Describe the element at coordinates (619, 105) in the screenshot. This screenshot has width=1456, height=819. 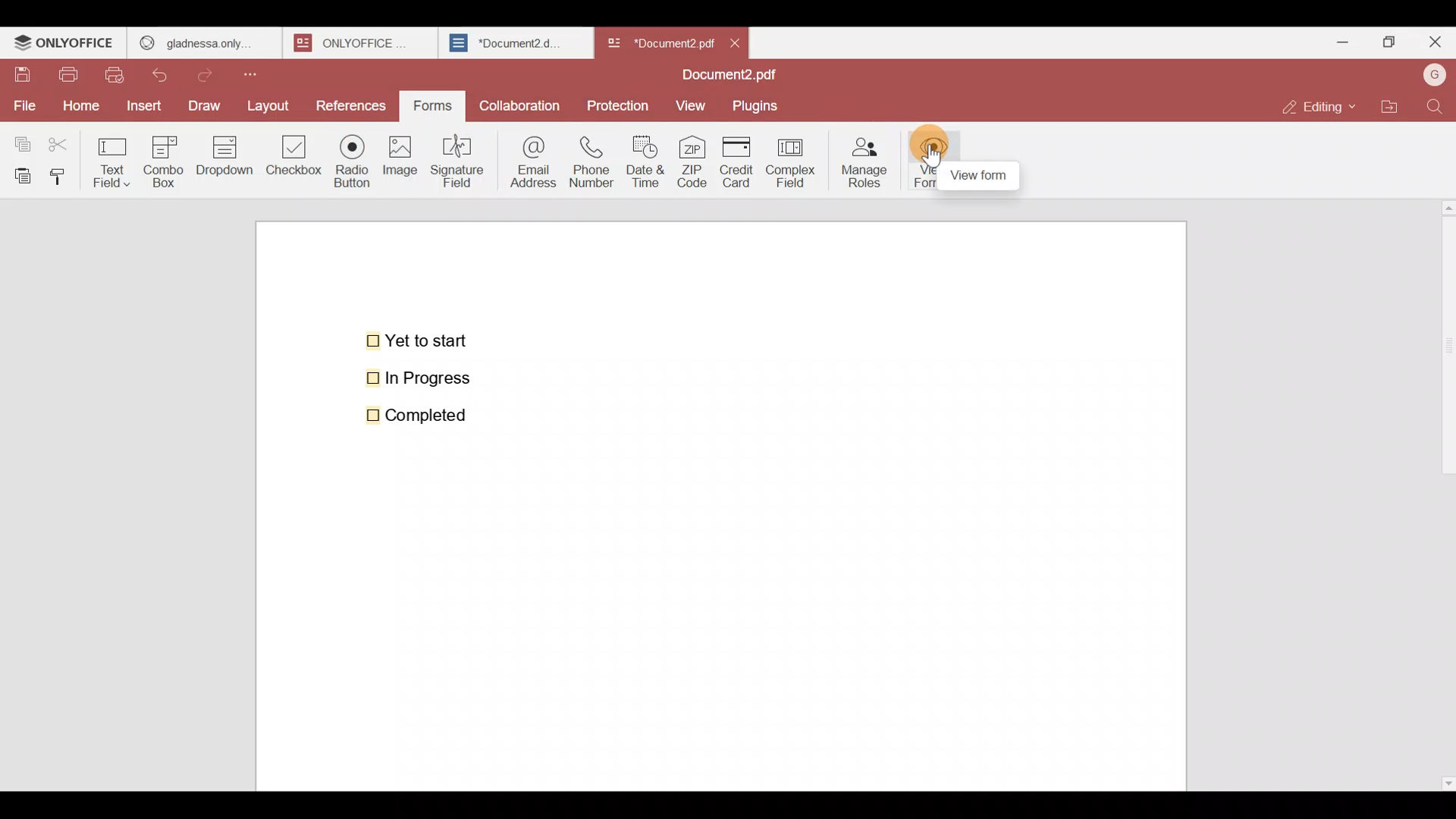
I see `Protection` at that location.